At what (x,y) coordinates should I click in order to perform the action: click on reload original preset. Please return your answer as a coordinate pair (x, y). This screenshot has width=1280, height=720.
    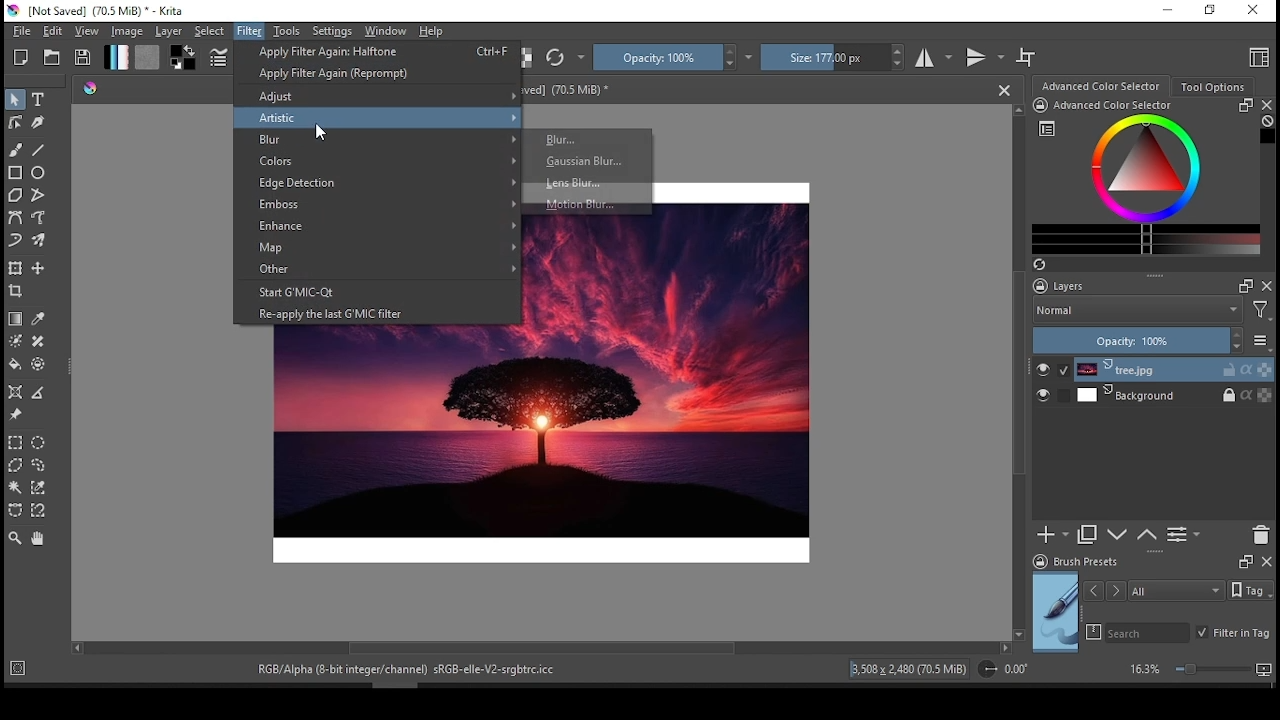
    Looking at the image, I should click on (563, 57).